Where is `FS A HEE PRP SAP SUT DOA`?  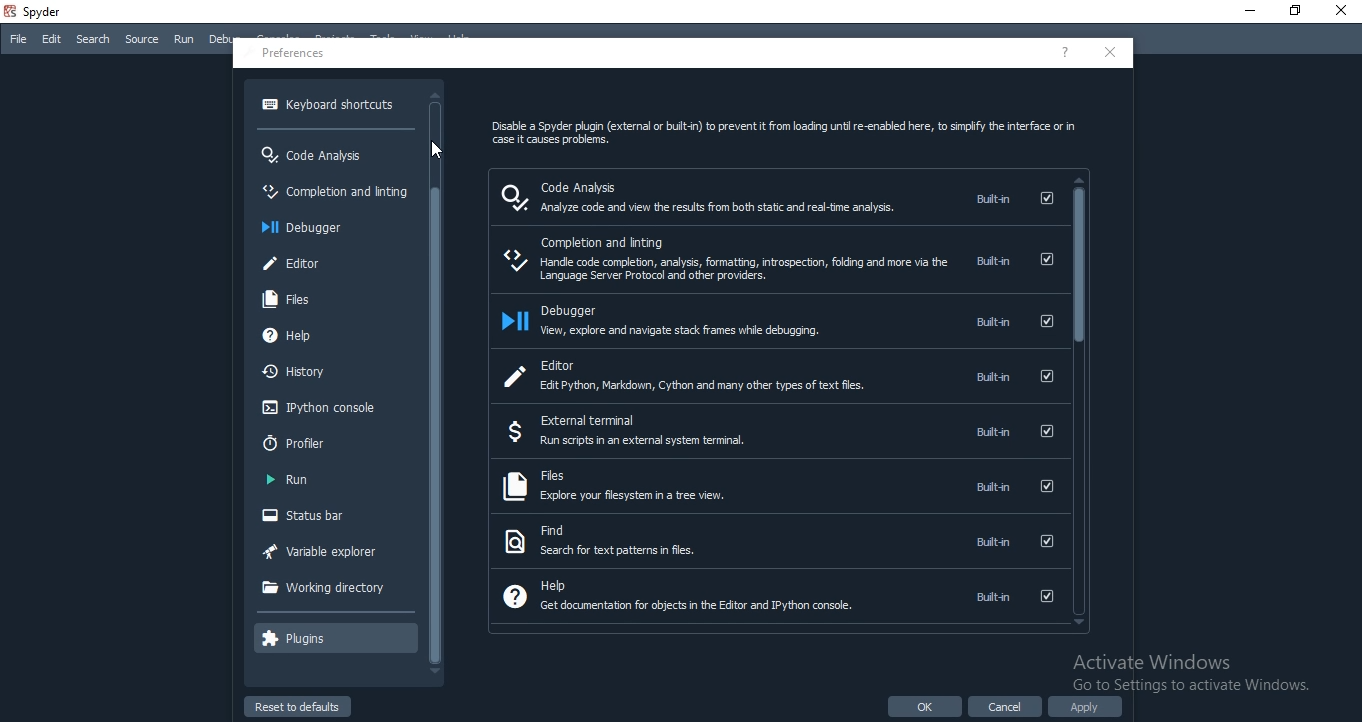 FS A HEE PRP SAP SUT DOA is located at coordinates (721, 212).